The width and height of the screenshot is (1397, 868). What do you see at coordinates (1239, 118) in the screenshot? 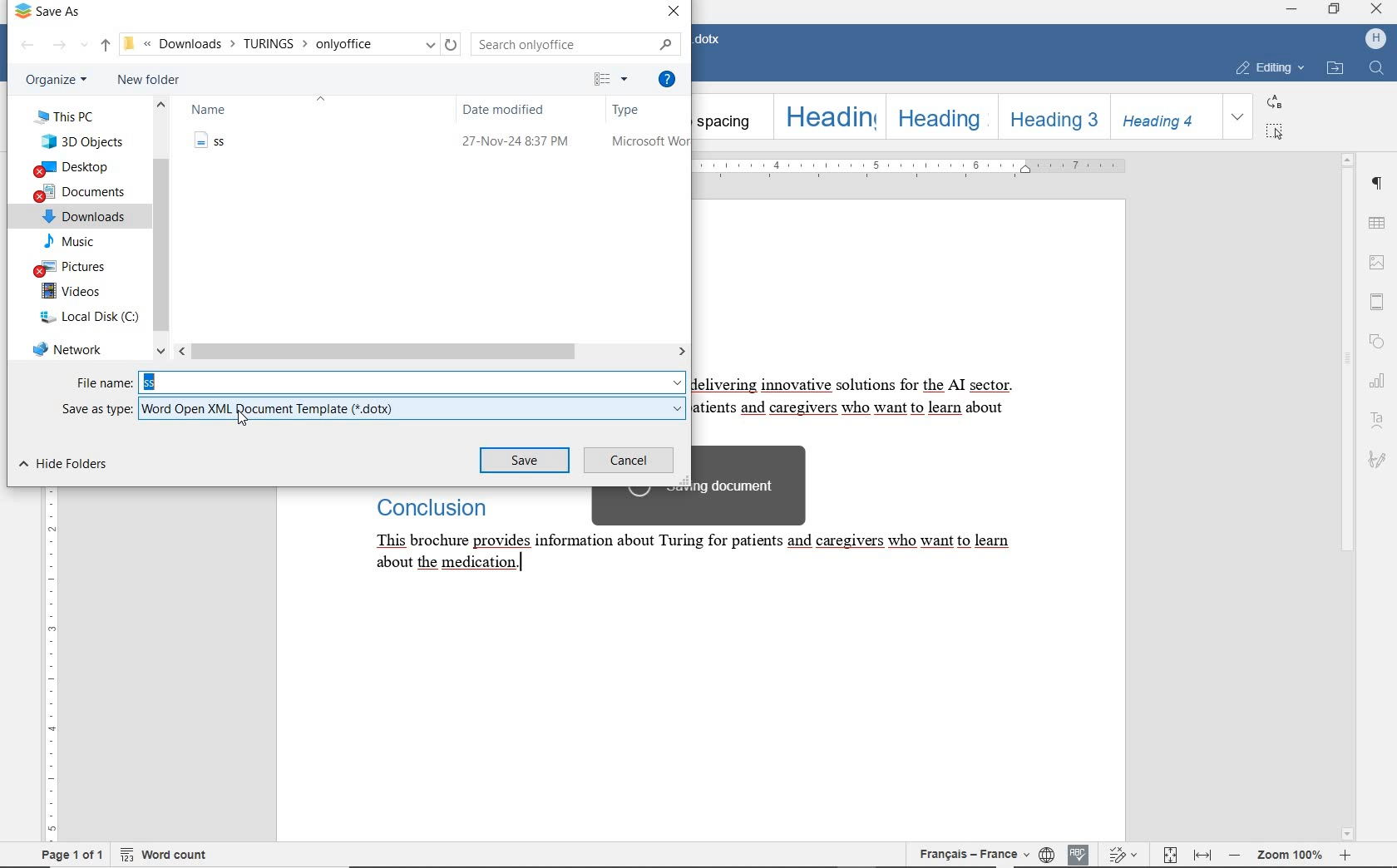
I see `EXPAND` at bounding box center [1239, 118].